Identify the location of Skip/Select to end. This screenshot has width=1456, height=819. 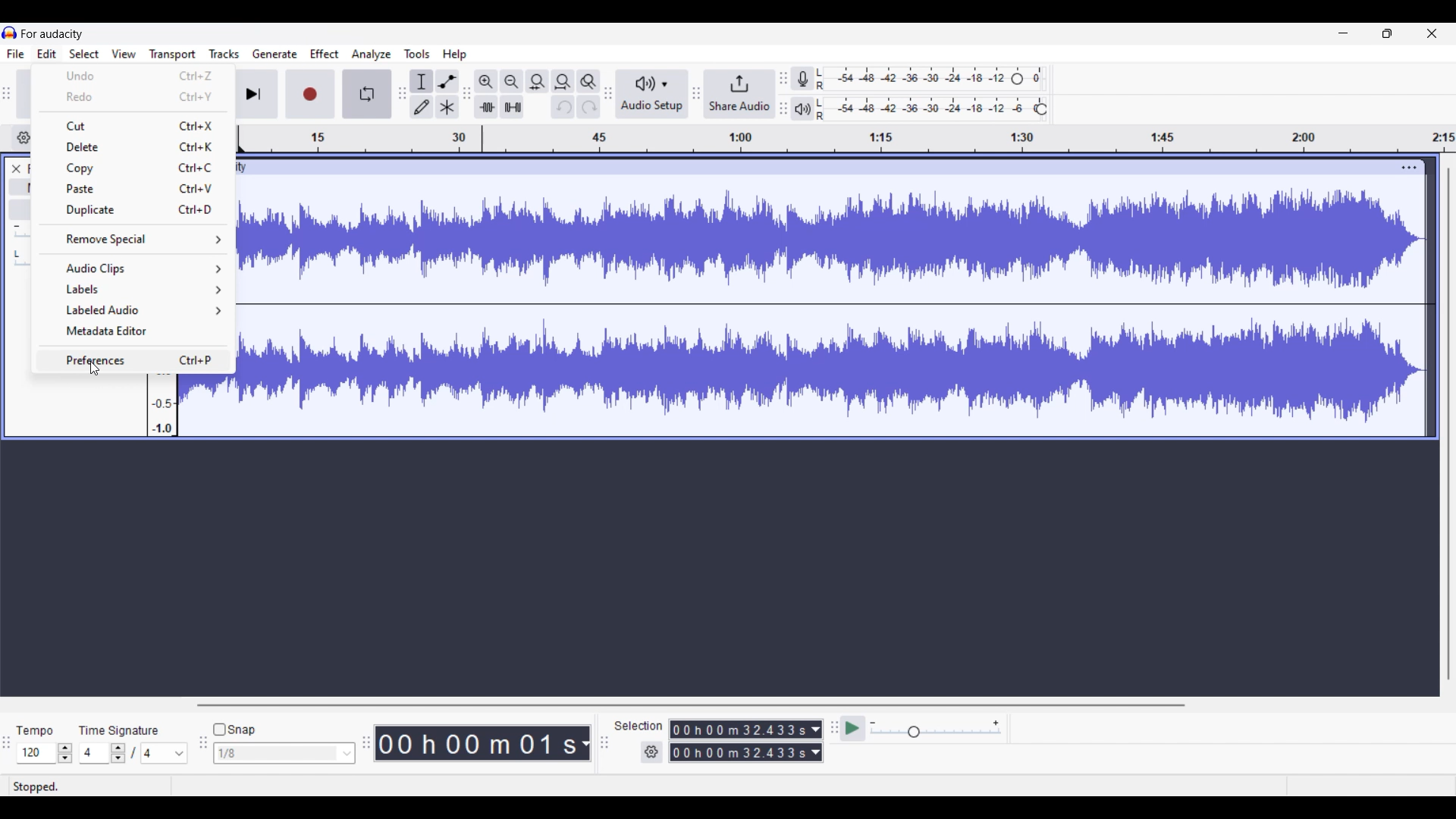
(254, 94).